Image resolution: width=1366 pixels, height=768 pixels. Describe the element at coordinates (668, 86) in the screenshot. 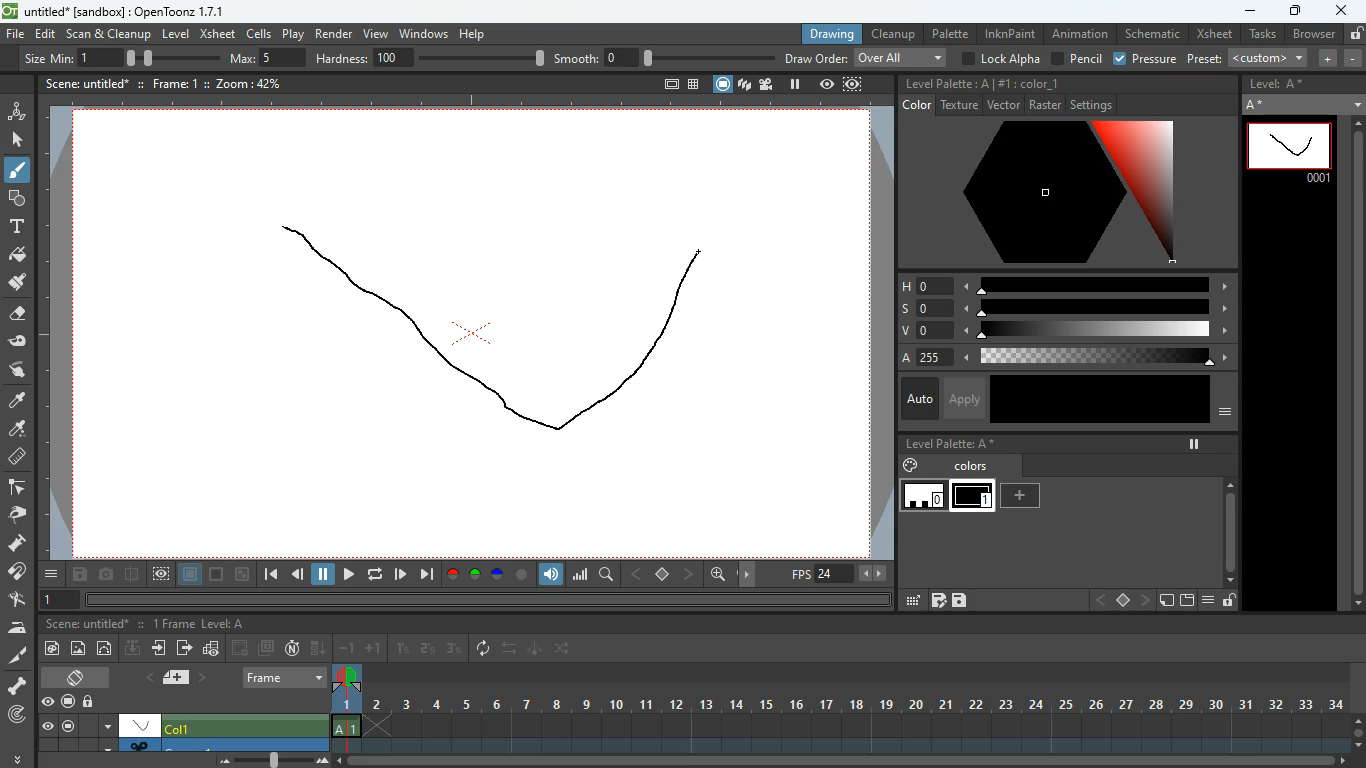

I see `document` at that location.